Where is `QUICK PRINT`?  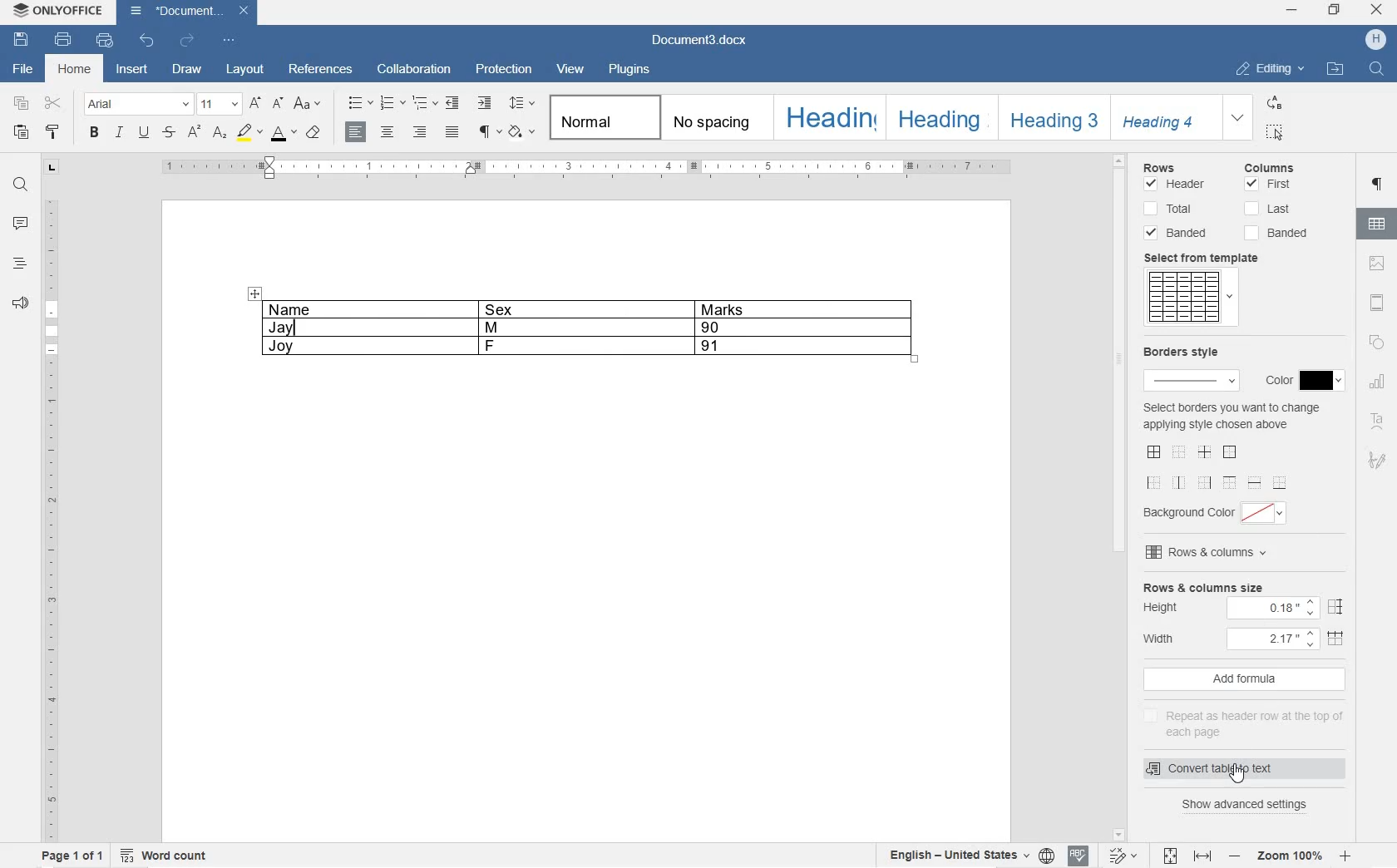 QUICK PRINT is located at coordinates (105, 40).